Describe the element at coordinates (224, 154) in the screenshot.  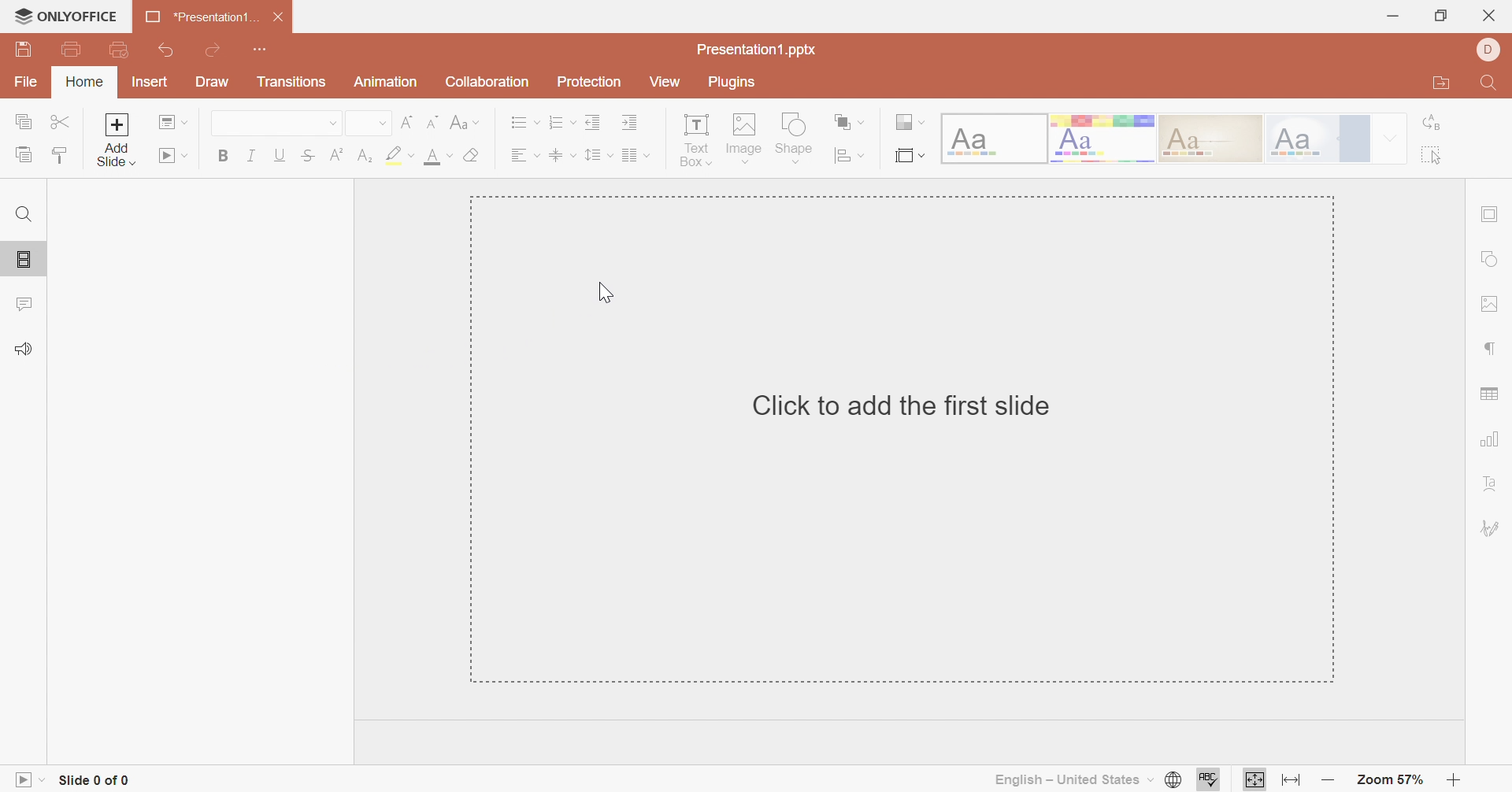
I see `Bold` at that location.